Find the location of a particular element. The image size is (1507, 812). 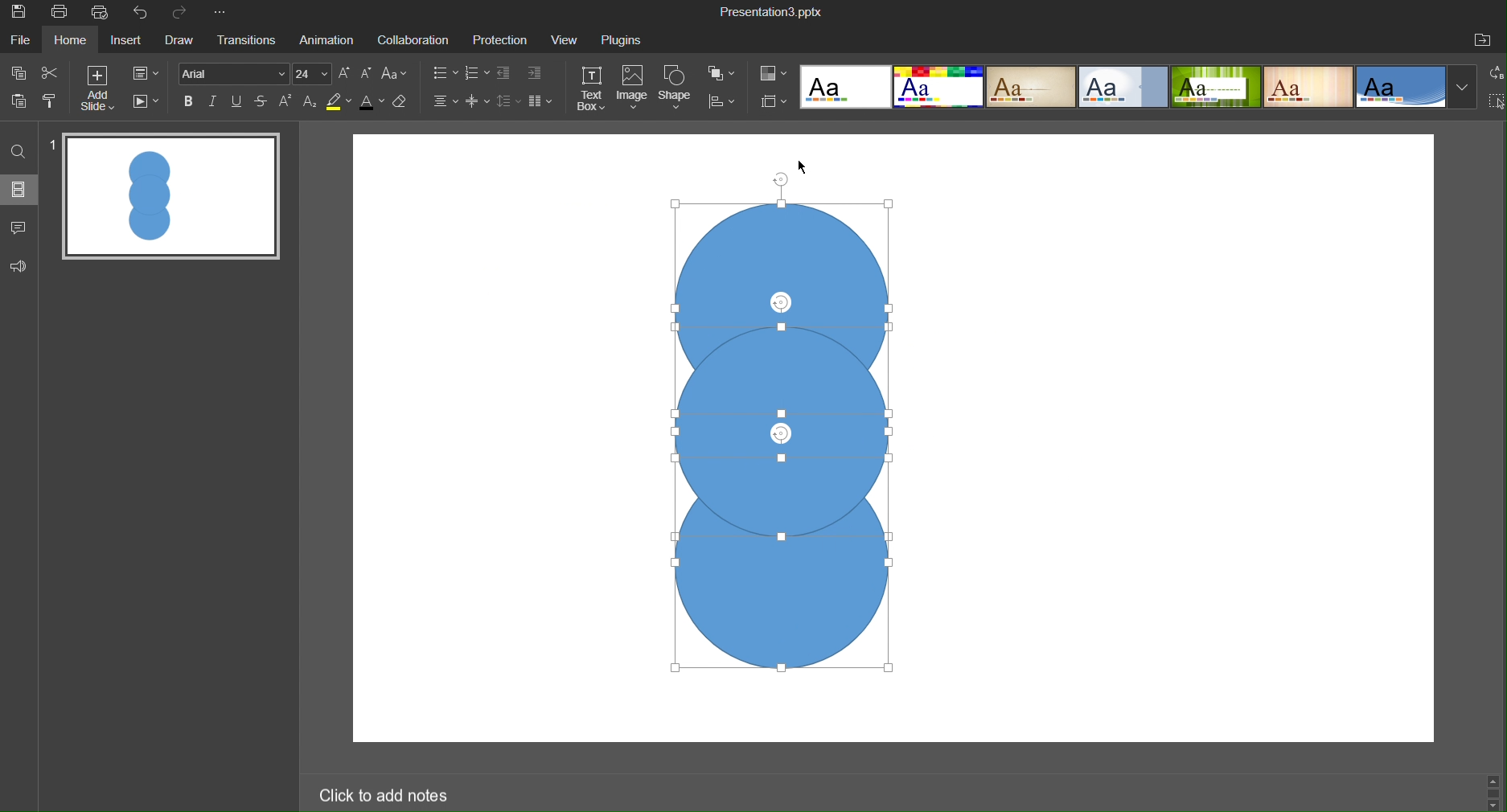

Open File Location is located at coordinates (1485, 39).